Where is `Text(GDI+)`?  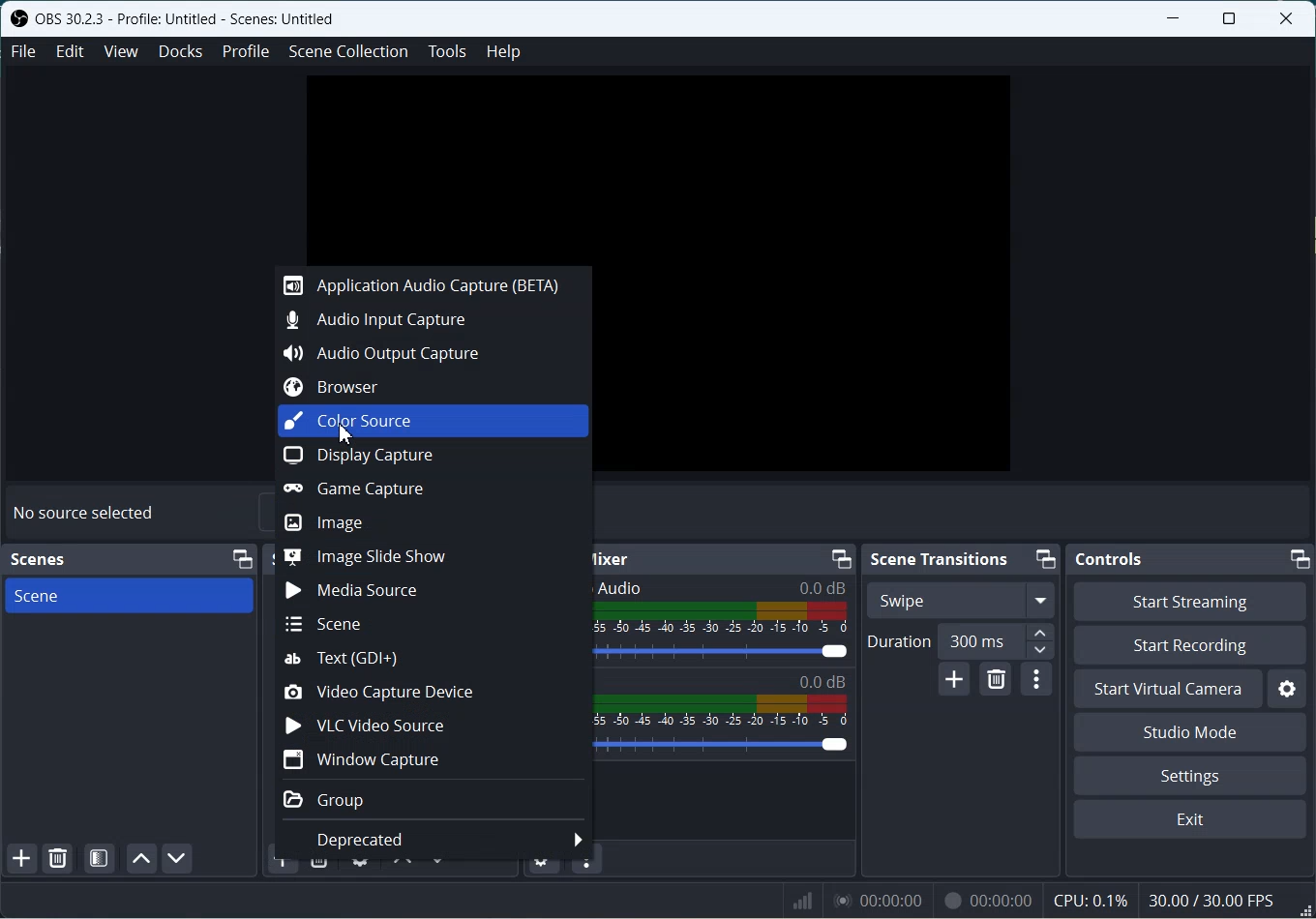 Text(GDI+) is located at coordinates (434, 657).